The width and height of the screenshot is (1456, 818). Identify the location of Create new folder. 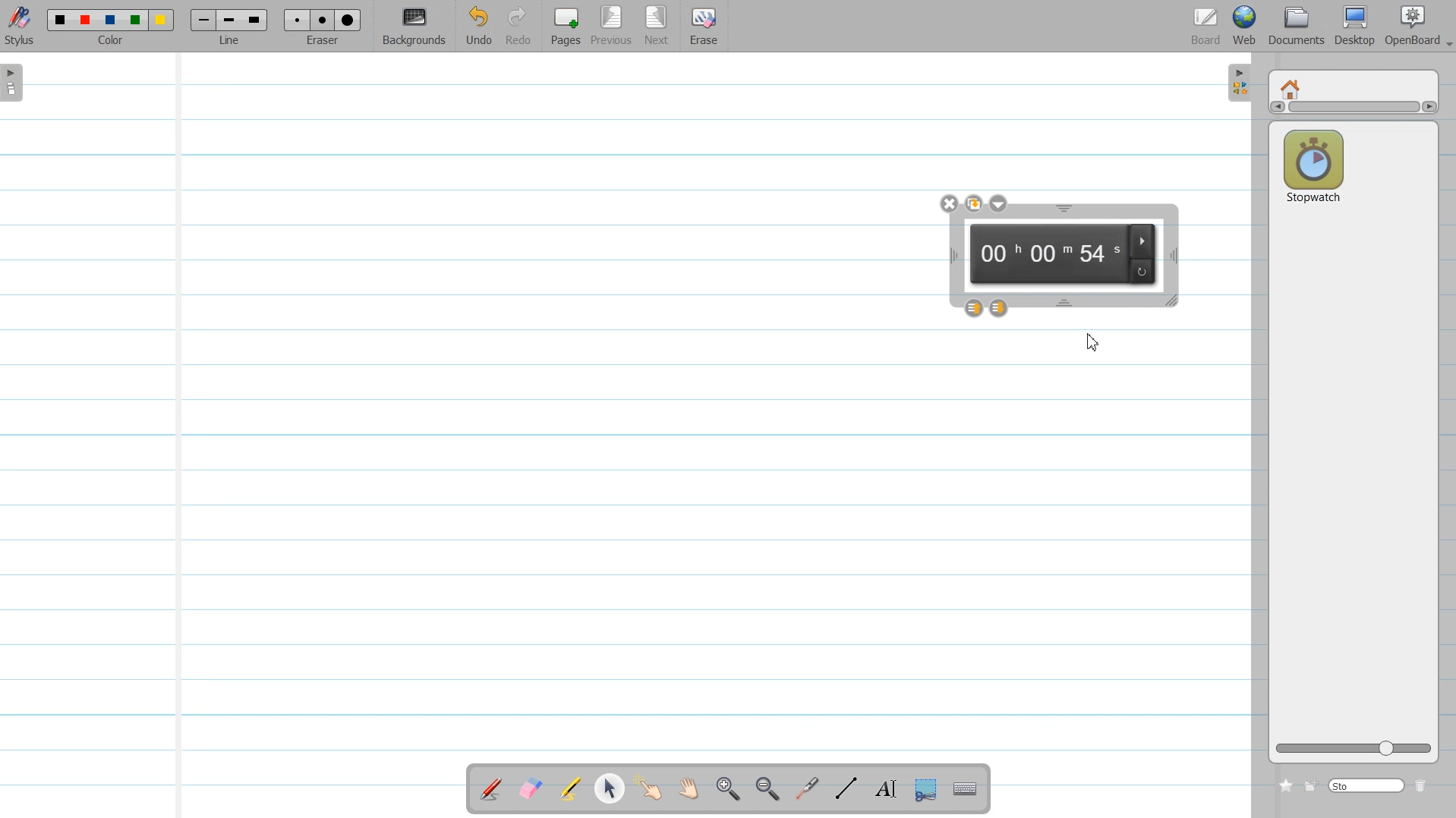
(1312, 785).